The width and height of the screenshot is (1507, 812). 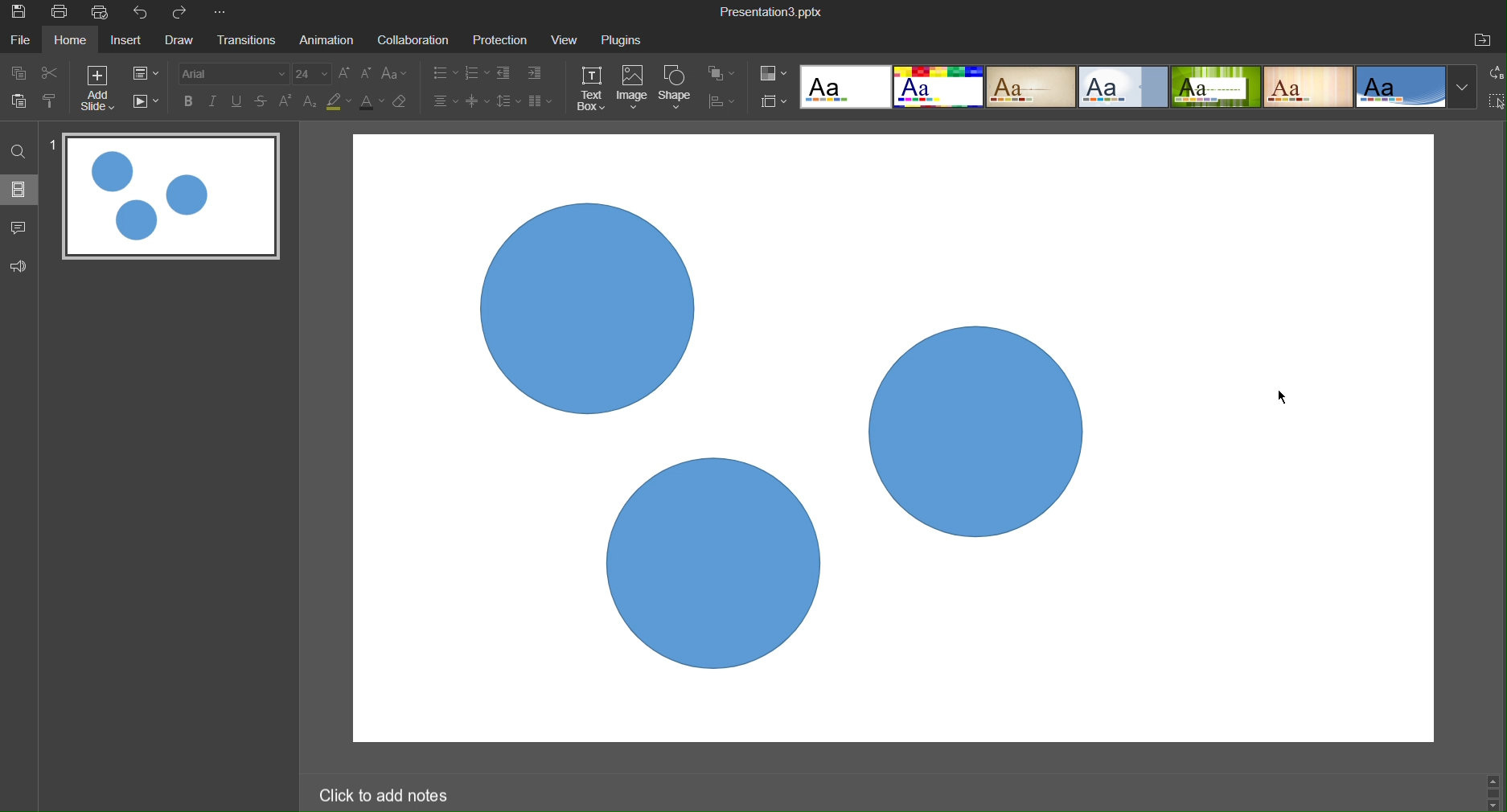 What do you see at coordinates (507, 101) in the screenshot?
I see `Line Spacing` at bounding box center [507, 101].